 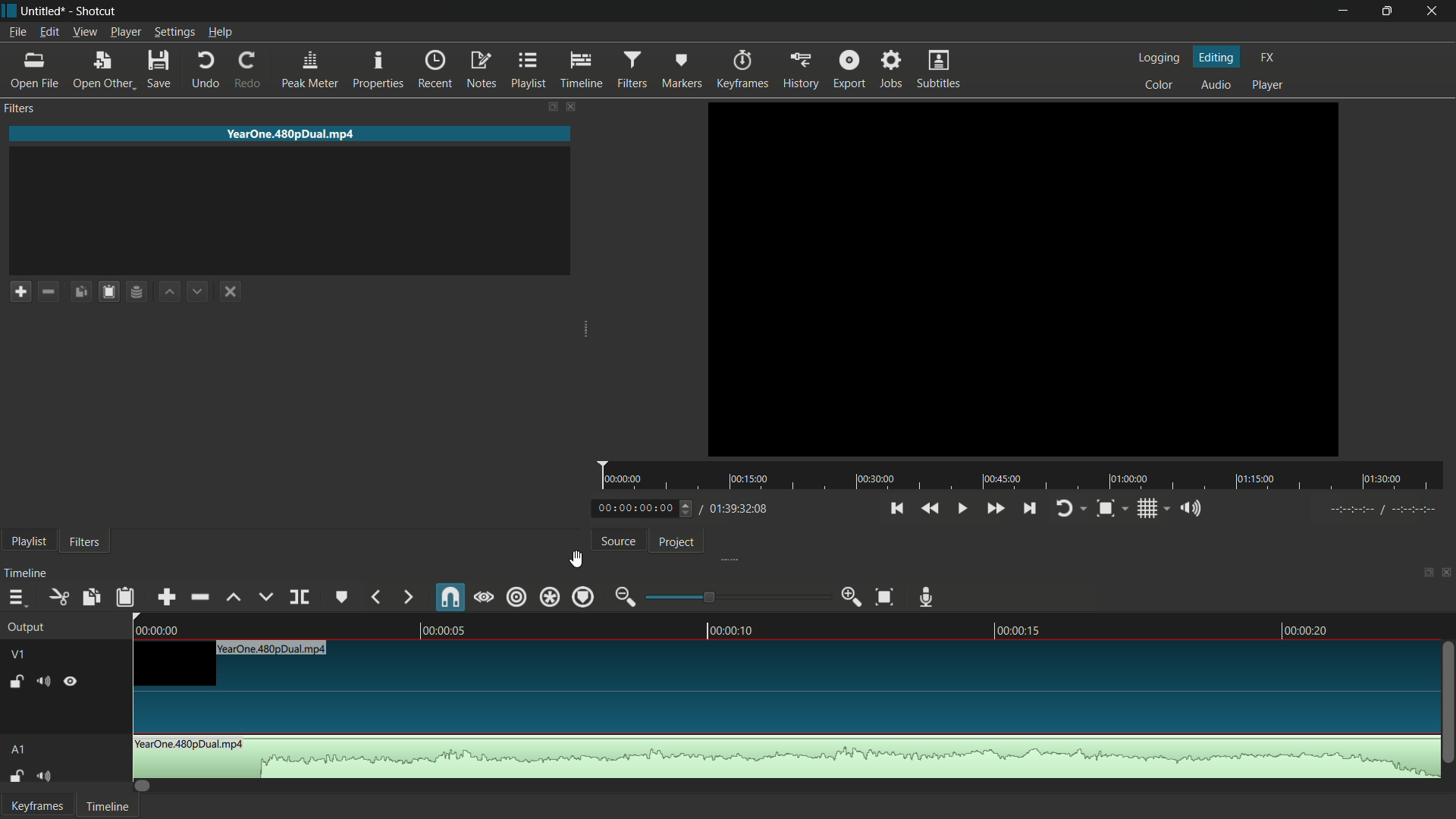 I want to click on lock, so click(x=12, y=679).